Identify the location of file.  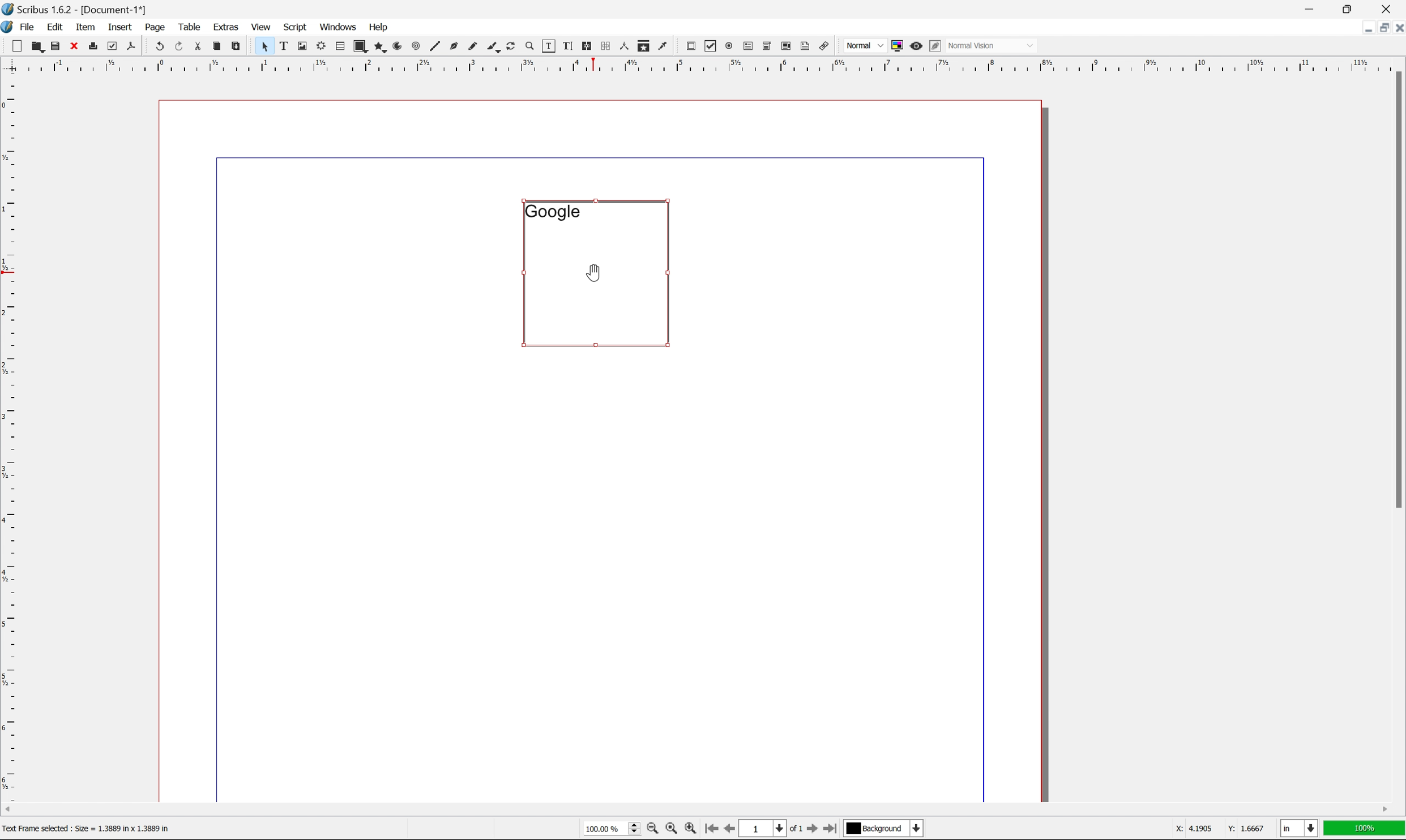
(28, 27).